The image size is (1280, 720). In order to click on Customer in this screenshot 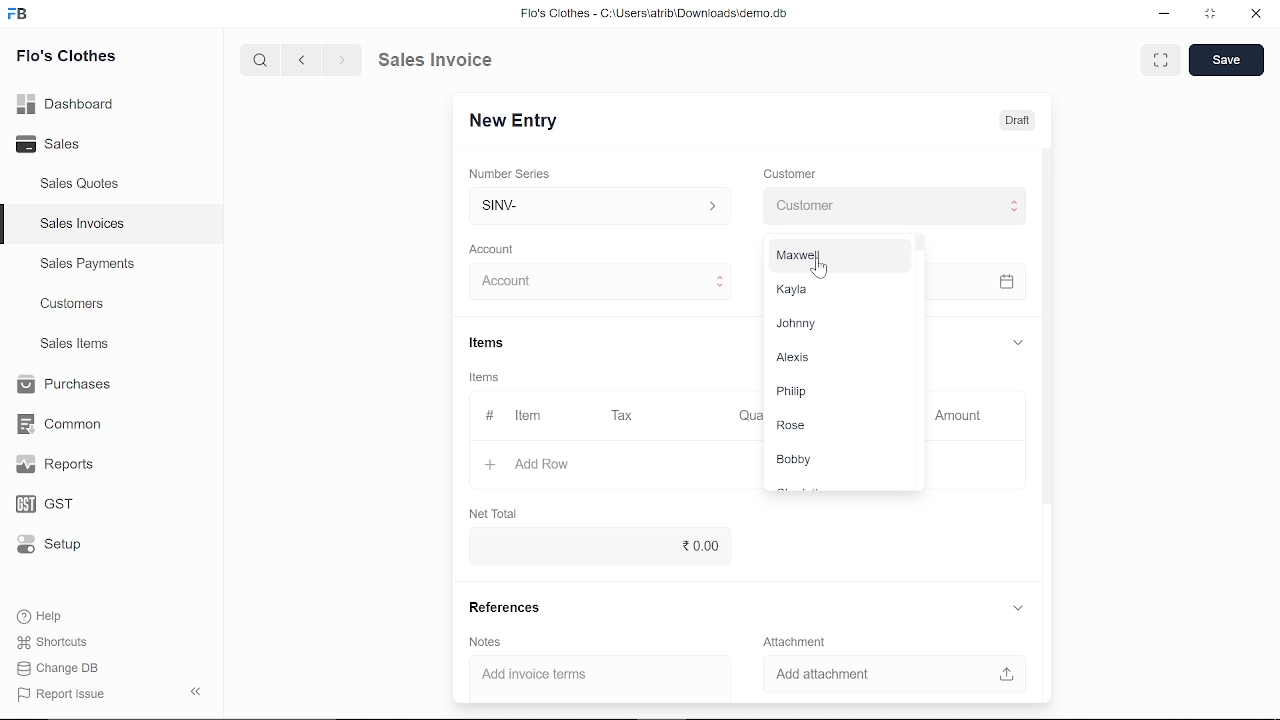, I will do `click(892, 207)`.